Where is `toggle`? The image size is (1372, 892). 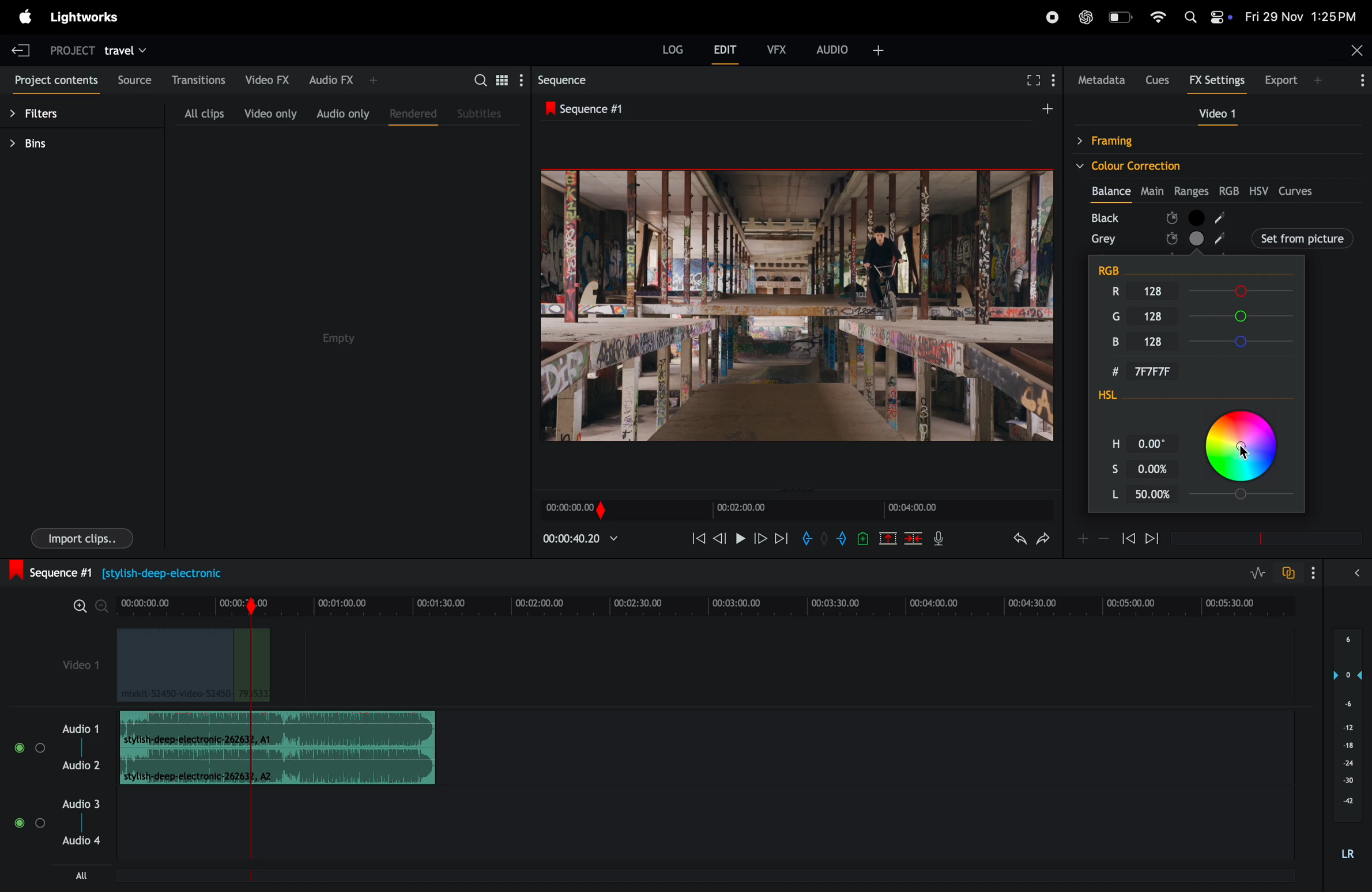 toggle is located at coordinates (41, 748).